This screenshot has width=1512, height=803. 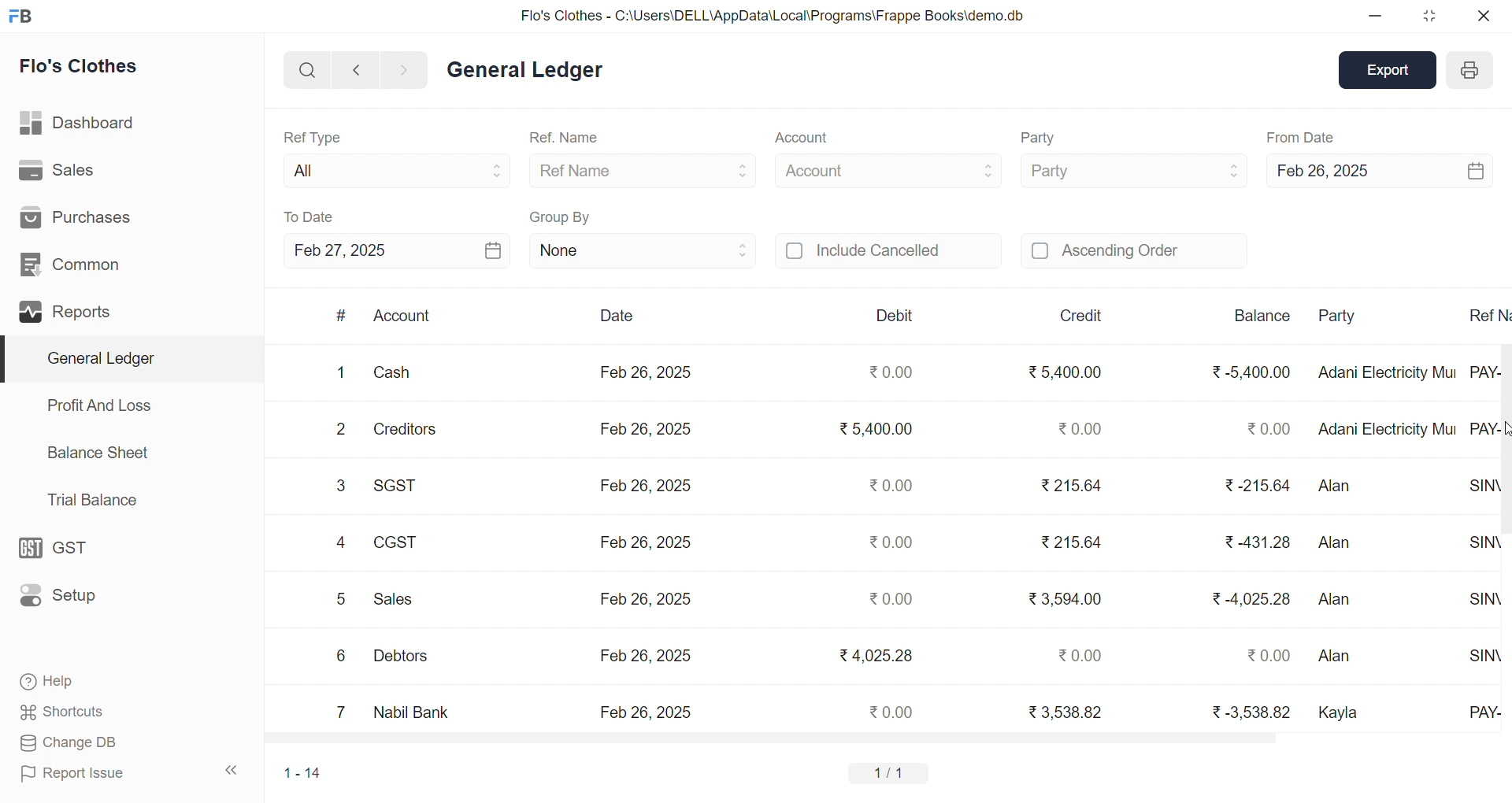 What do you see at coordinates (1336, 484) in the screenshot?
I see `Alan` at bounding box center [1336, 484].